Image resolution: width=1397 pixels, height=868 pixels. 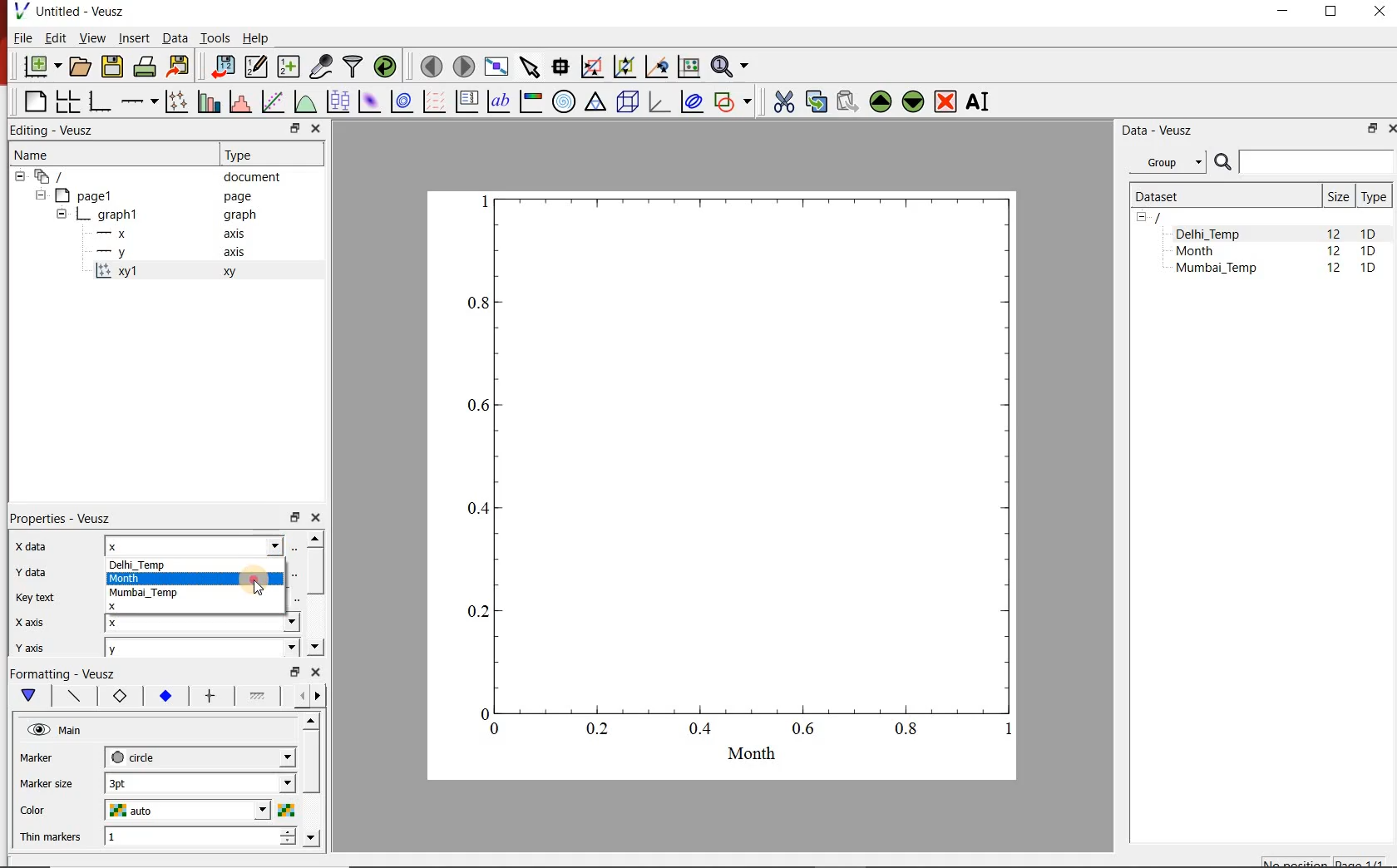 I want to click on export to graphics format, so click(x=180, y=67).